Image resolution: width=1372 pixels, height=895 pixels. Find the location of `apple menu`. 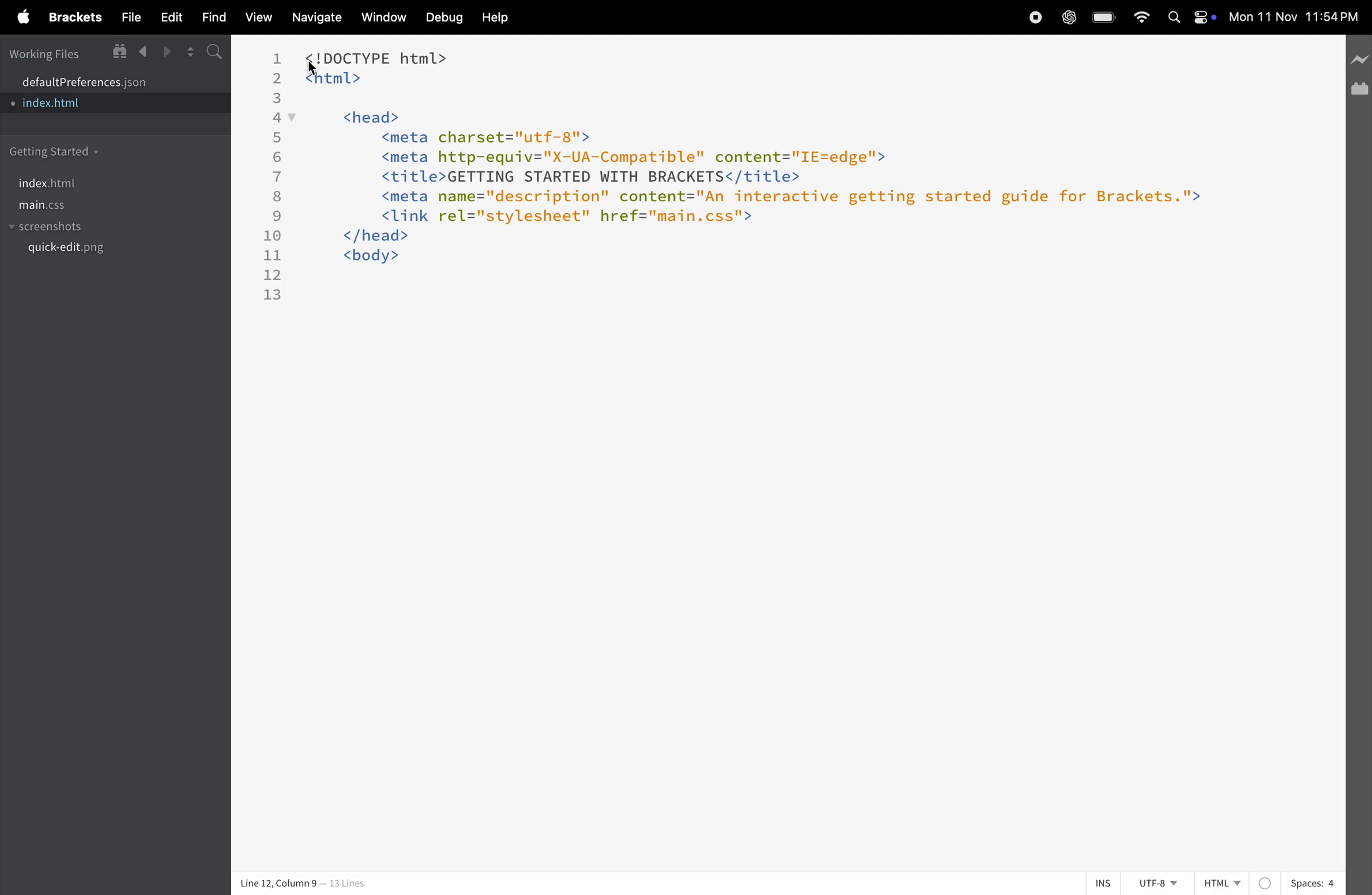

apple menu is located at coordinates (20, 17).